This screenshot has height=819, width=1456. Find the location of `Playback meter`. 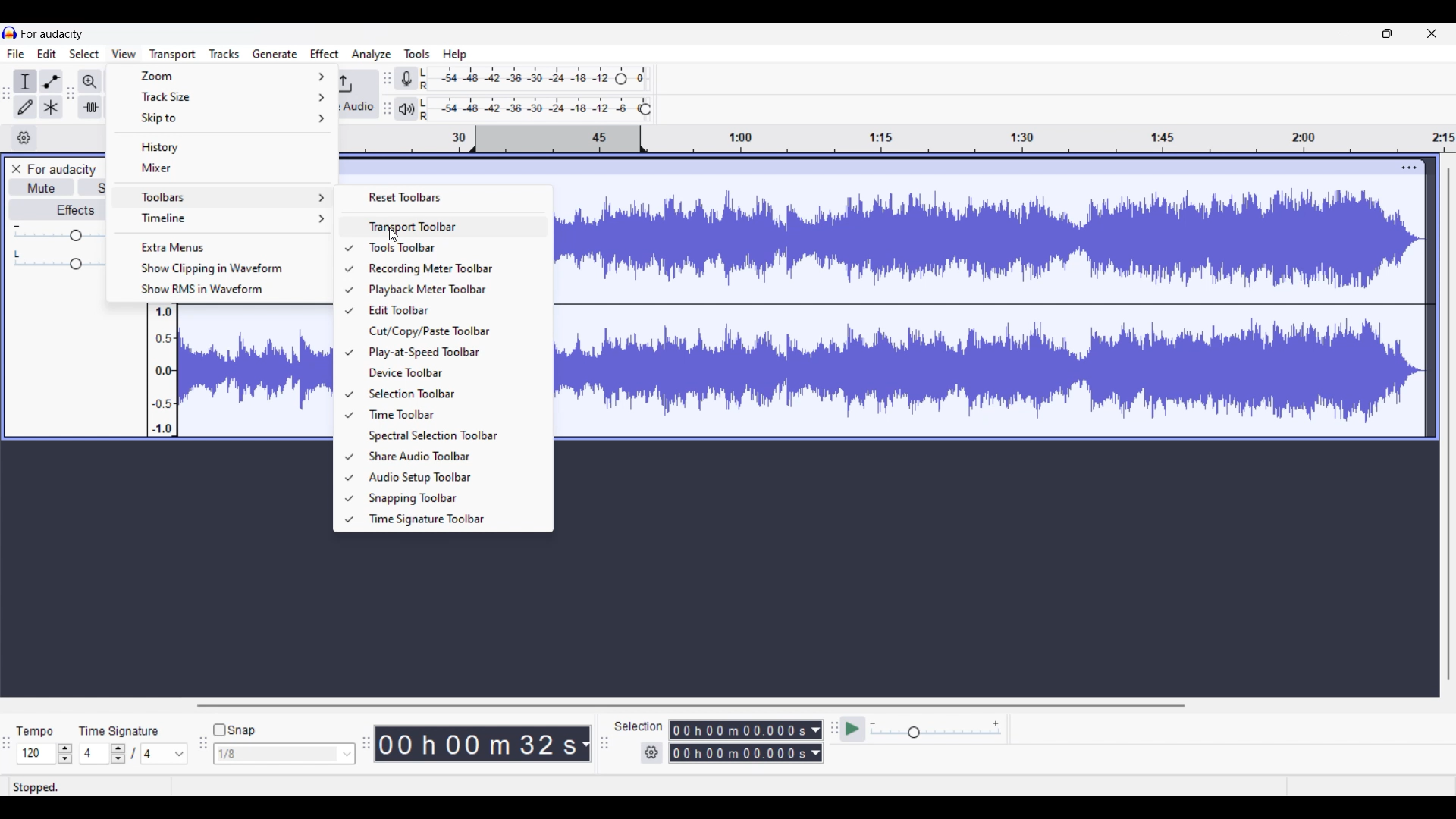

Playback meter is located at coordinates (406, 109).